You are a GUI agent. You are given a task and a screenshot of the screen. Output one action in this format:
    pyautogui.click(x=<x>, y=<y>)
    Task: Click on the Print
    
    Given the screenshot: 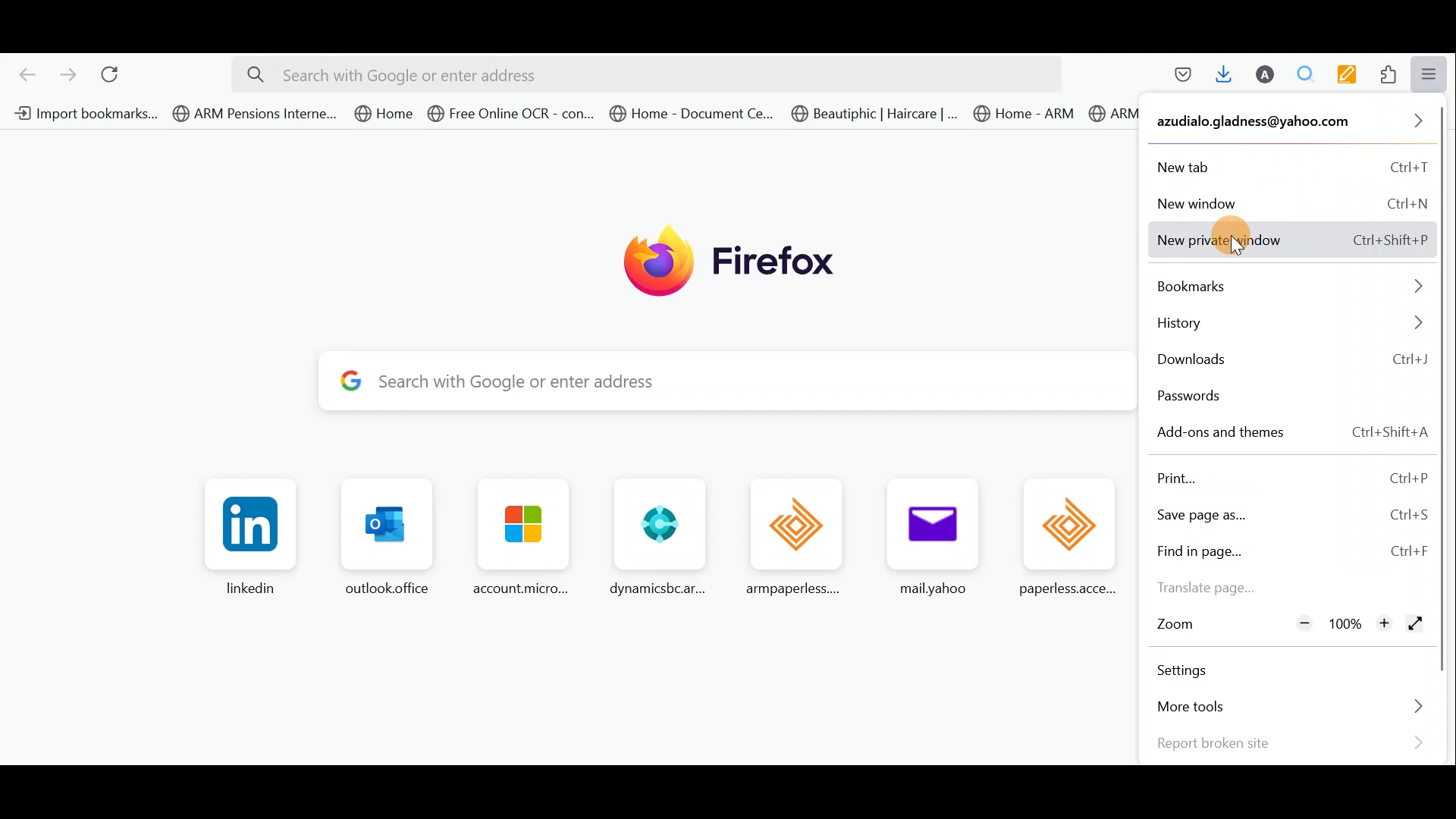 What is the action you would take?
    pyautogui.click(x=1290, y=476)
    